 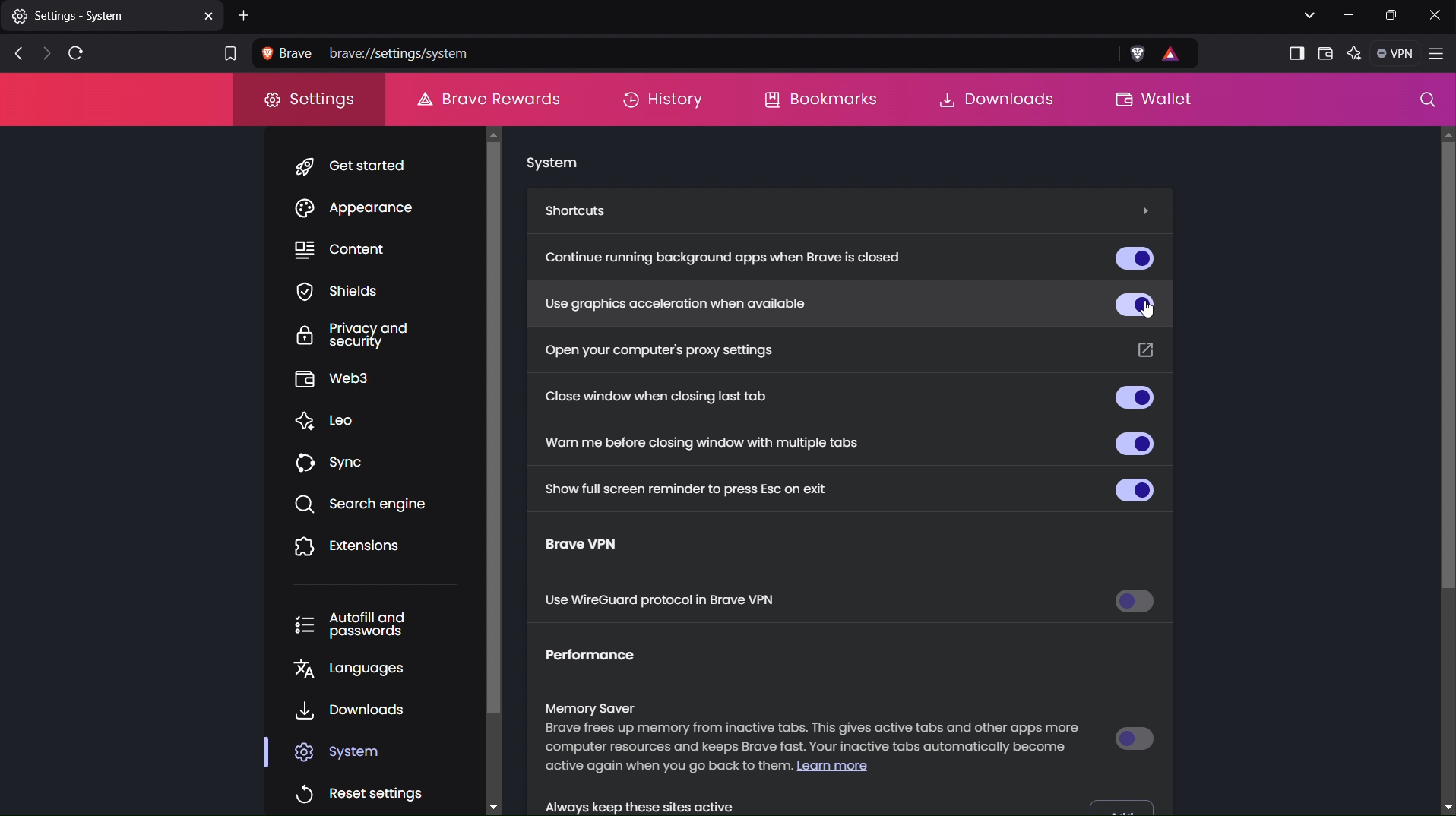 What do you see at coordinates (311, 104) in the screenshot?
I see `Settings` at bounding box center [311, 104].